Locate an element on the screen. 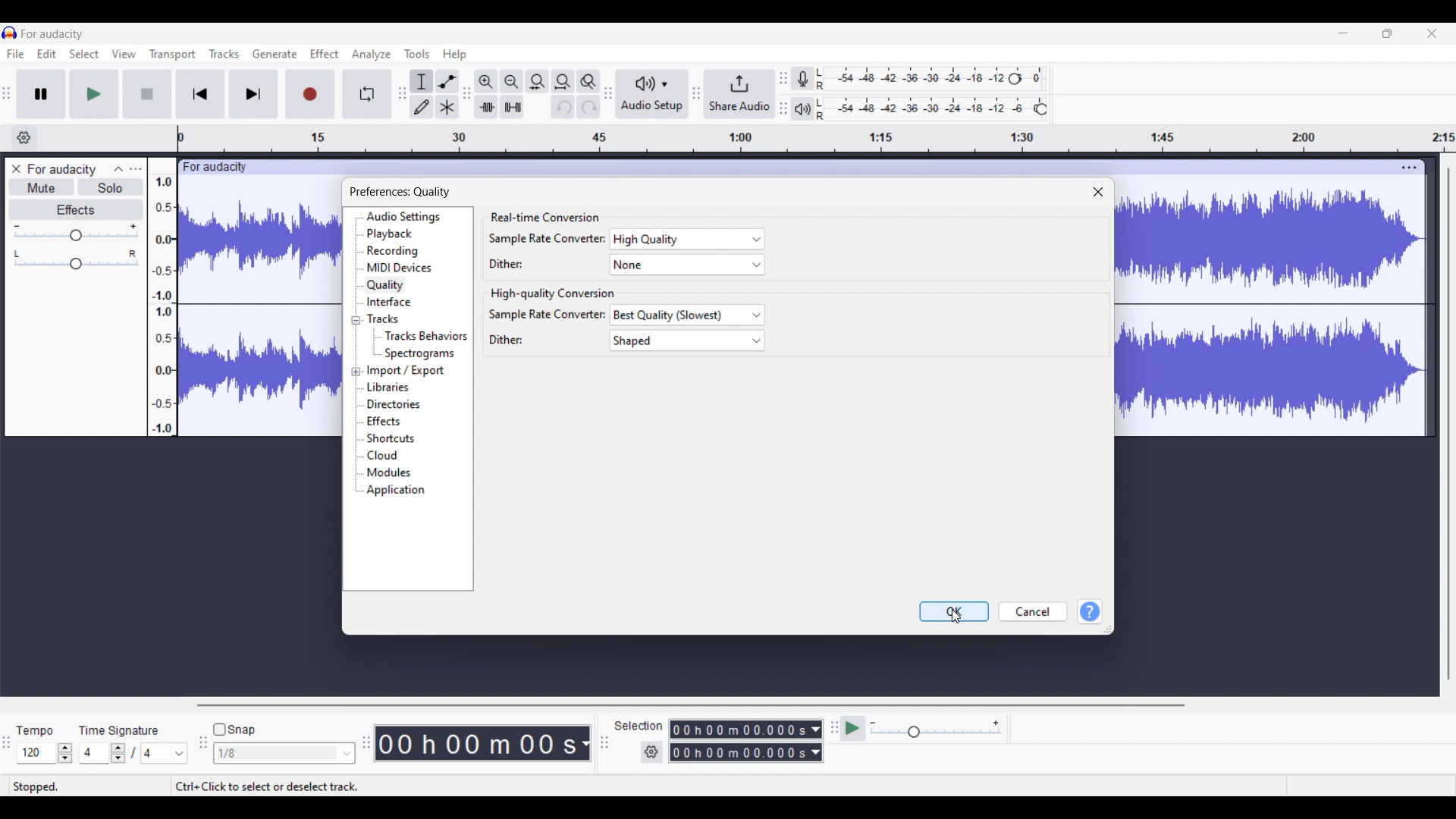 This screenshot has width=1456, height=819. Quality, highlighted as current selection is located at coordinates (385, 285).